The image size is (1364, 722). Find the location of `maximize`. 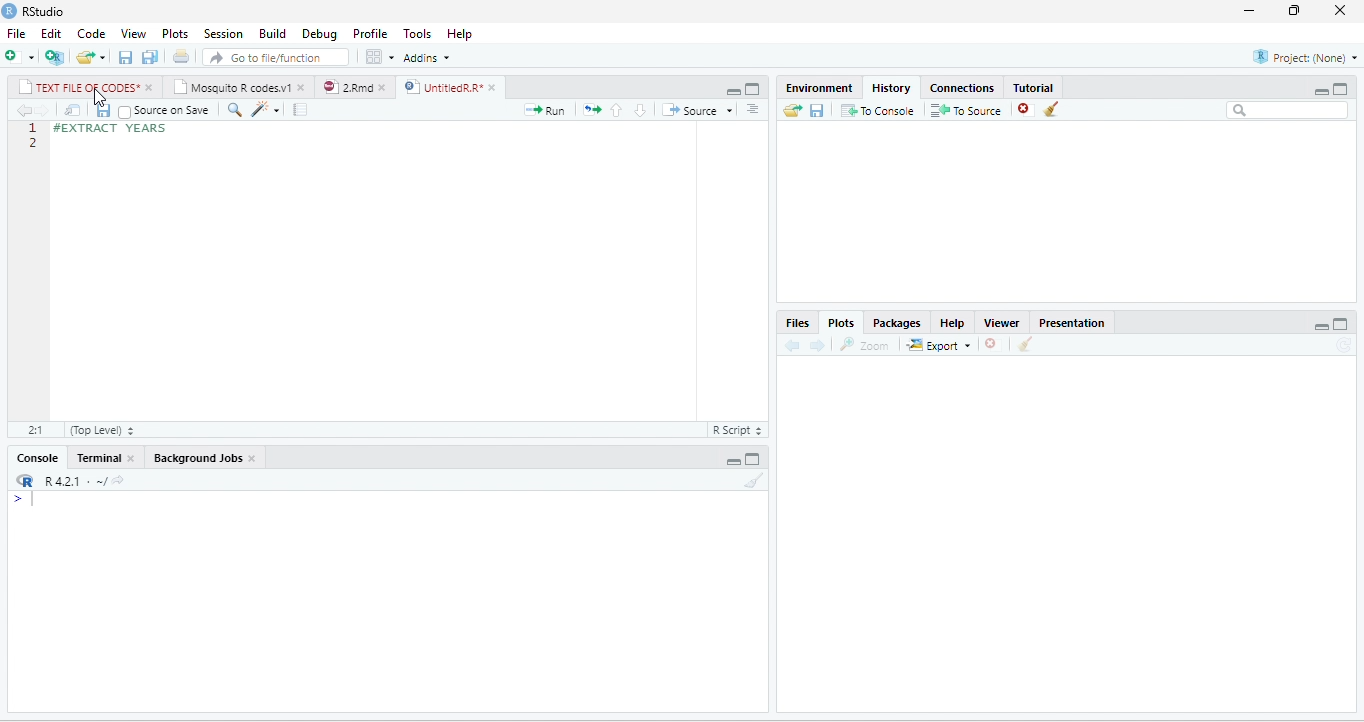

maximize is located at coordinates (753, 89).